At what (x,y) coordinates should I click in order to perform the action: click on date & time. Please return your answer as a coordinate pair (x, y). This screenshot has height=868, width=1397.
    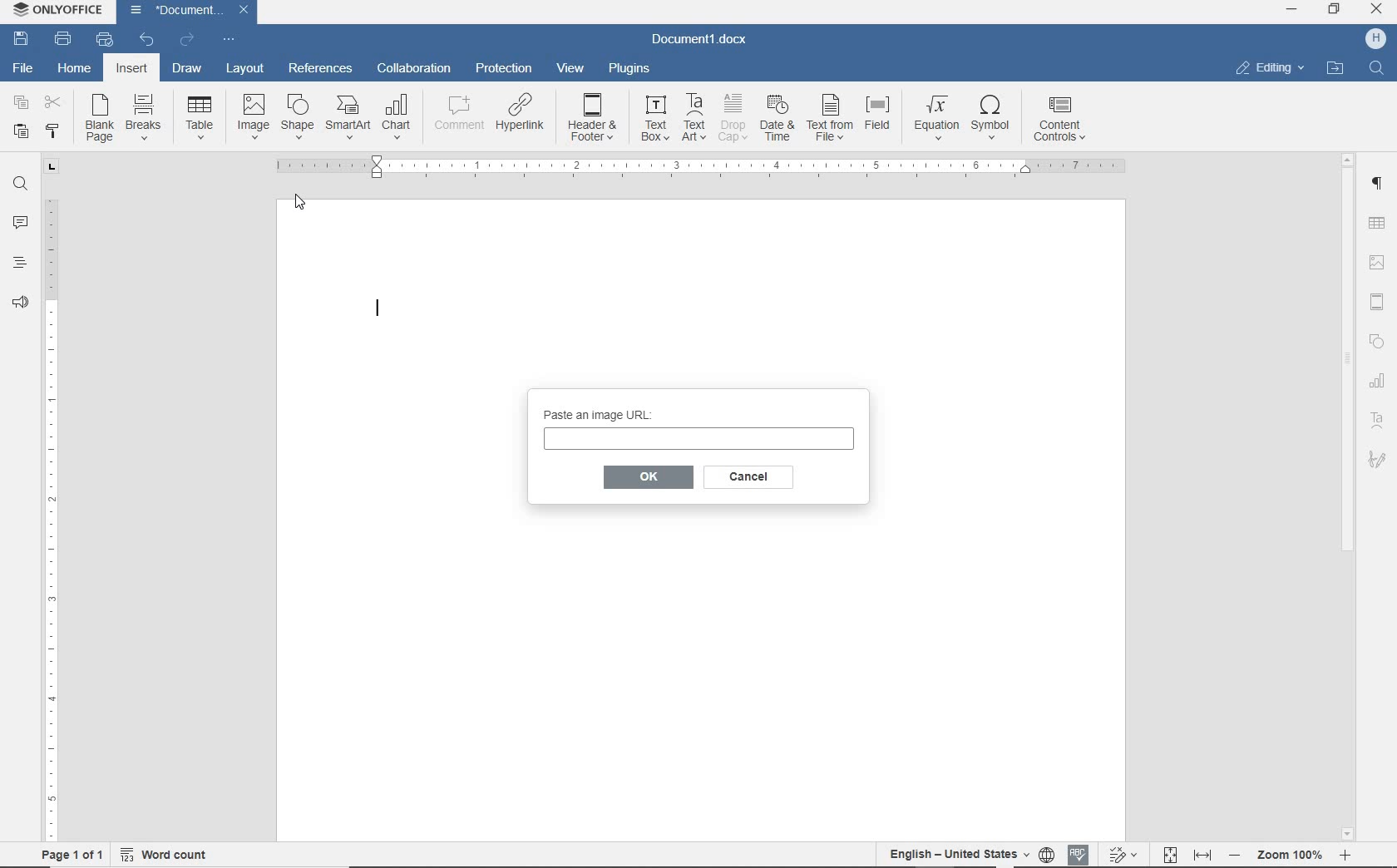
    Looking at the image, I should click on (778, 116).